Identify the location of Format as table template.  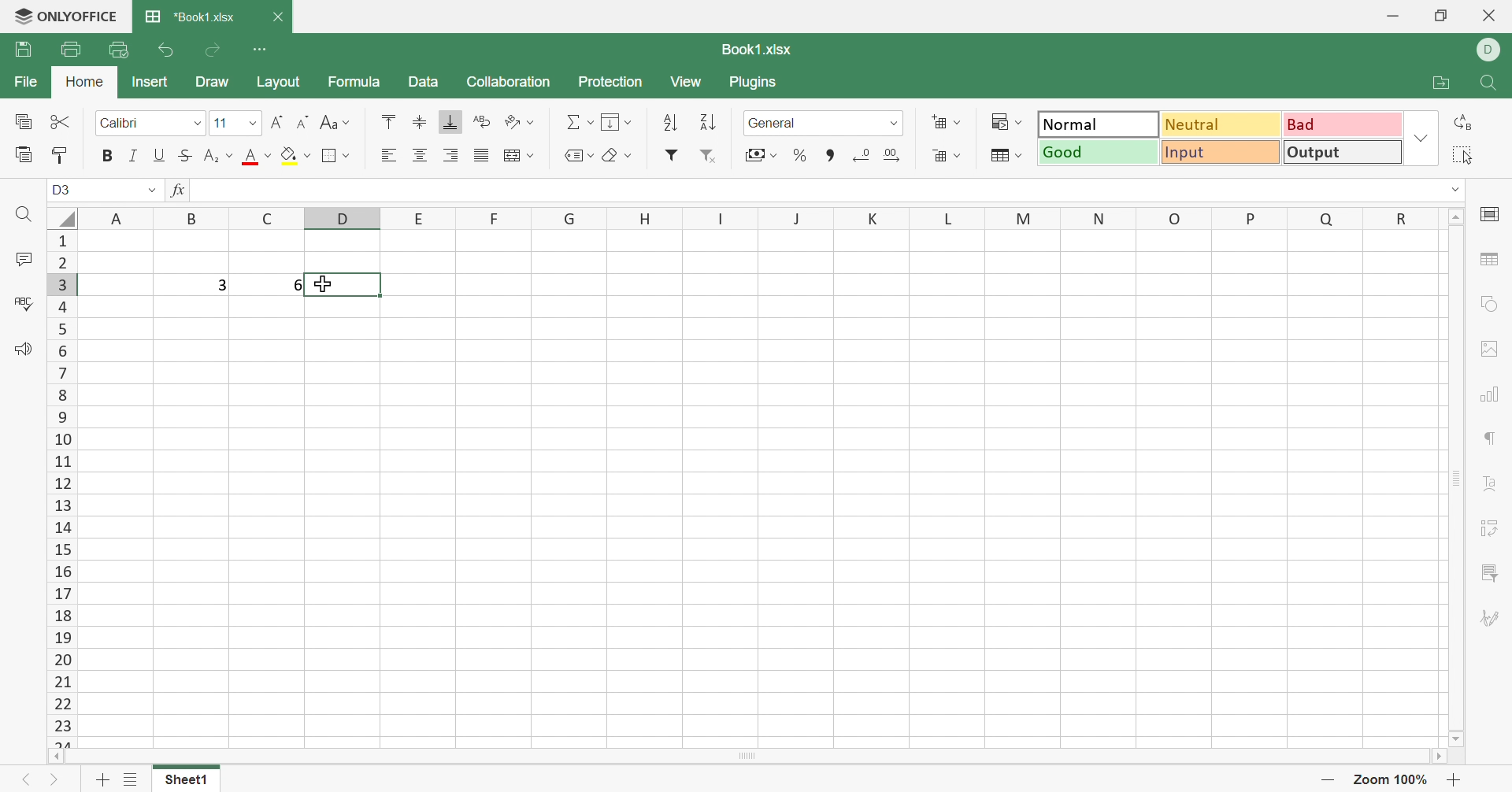
(1004, 154).